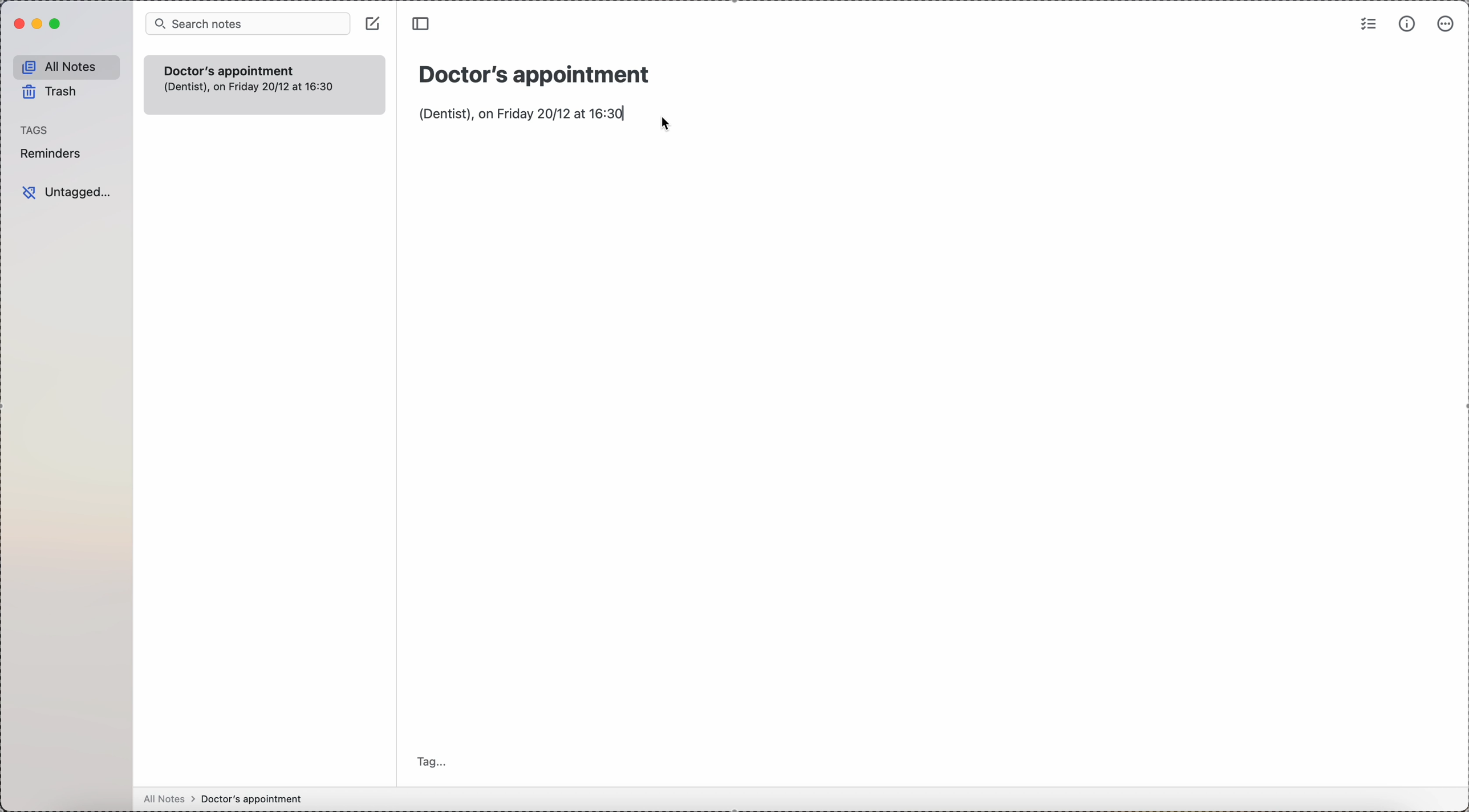  I want to click on toggle sidebar, so click(423, 26).